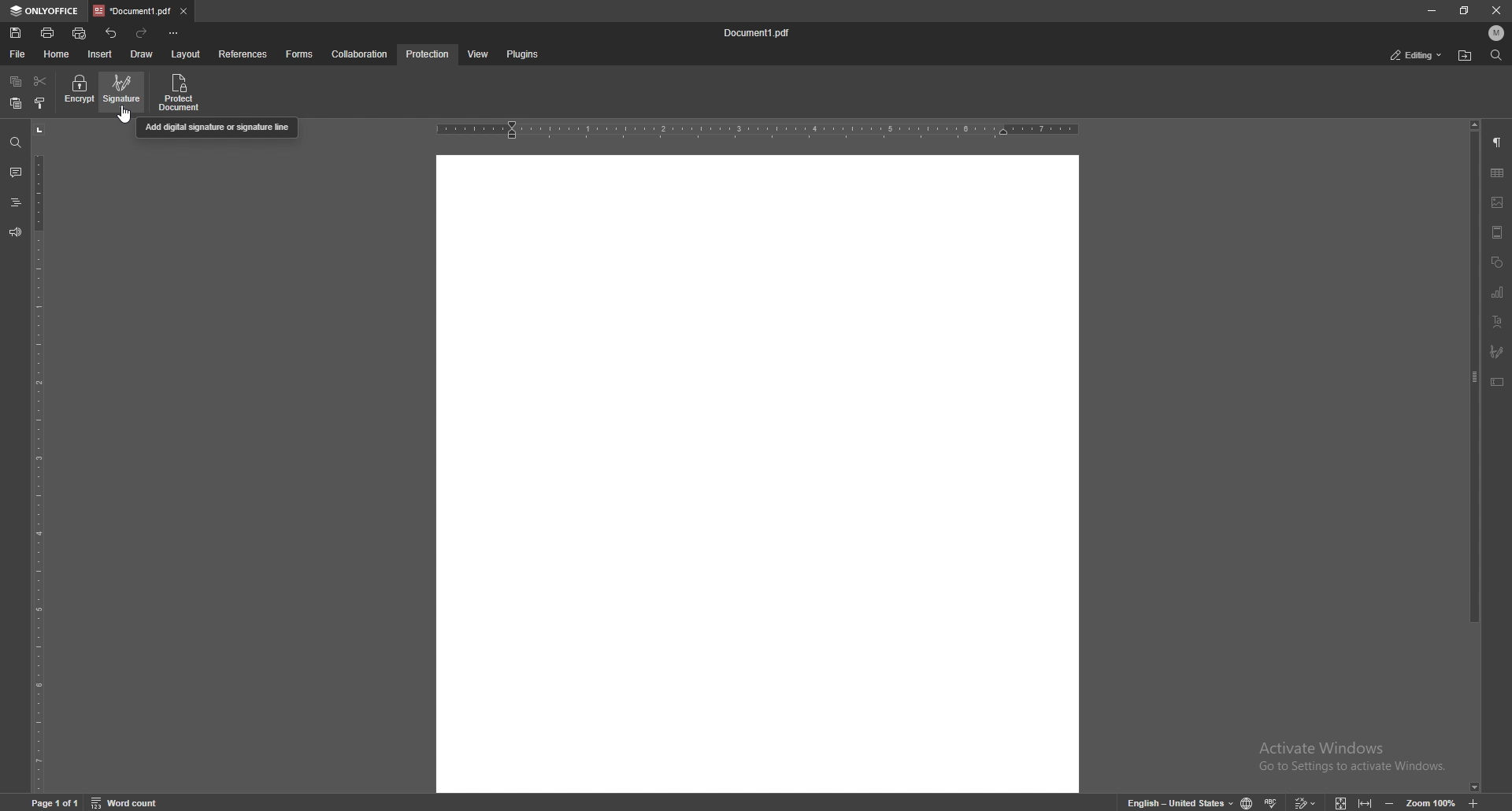 This screenshot has height=811, width=1512. I want to click on save, so click(17, 33).